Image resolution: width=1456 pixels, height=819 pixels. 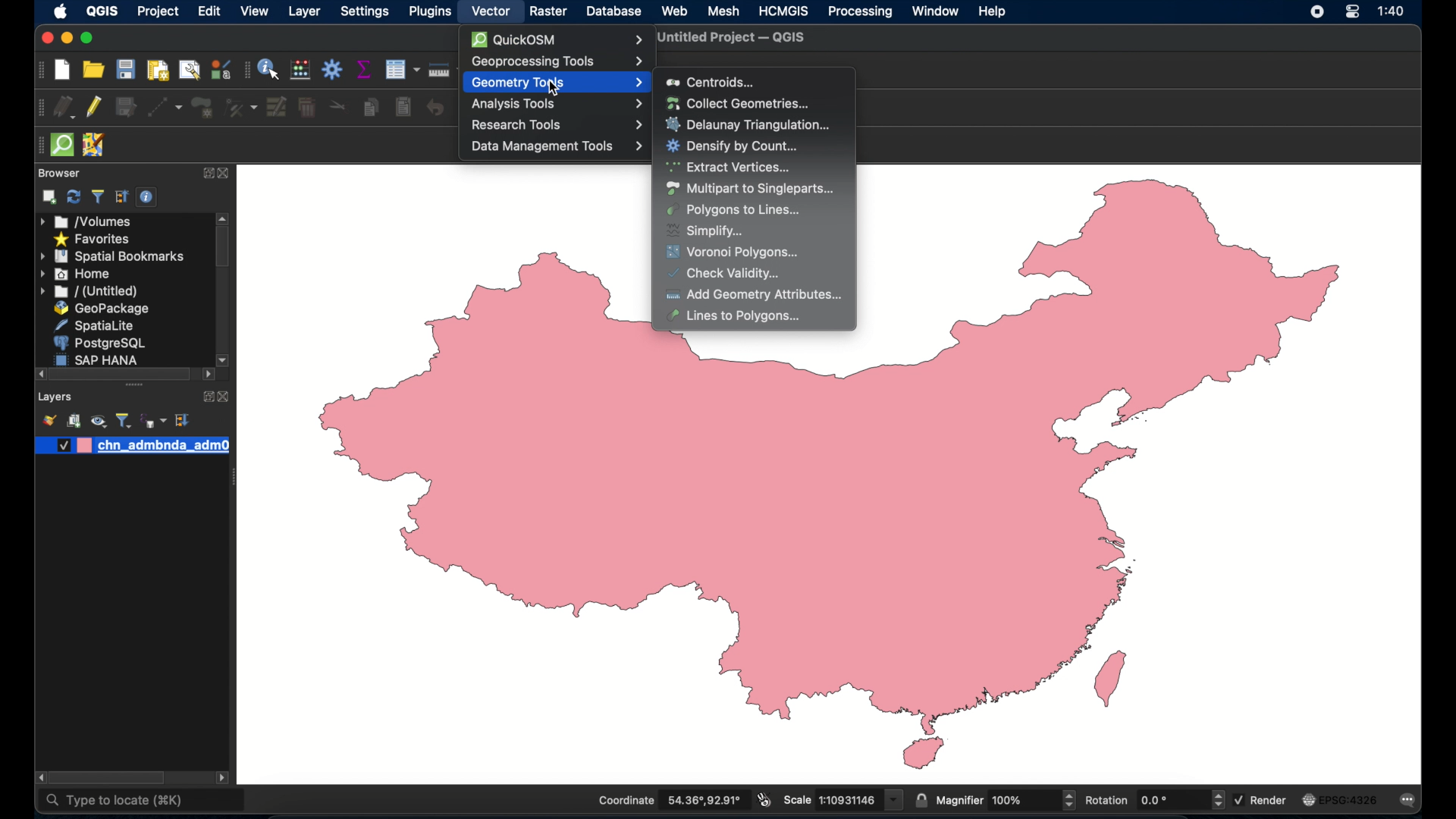 What do you see at coordinates (245, 71) in the screenshot?
I see `attributes toolbar` at bounding box center [245, 71].